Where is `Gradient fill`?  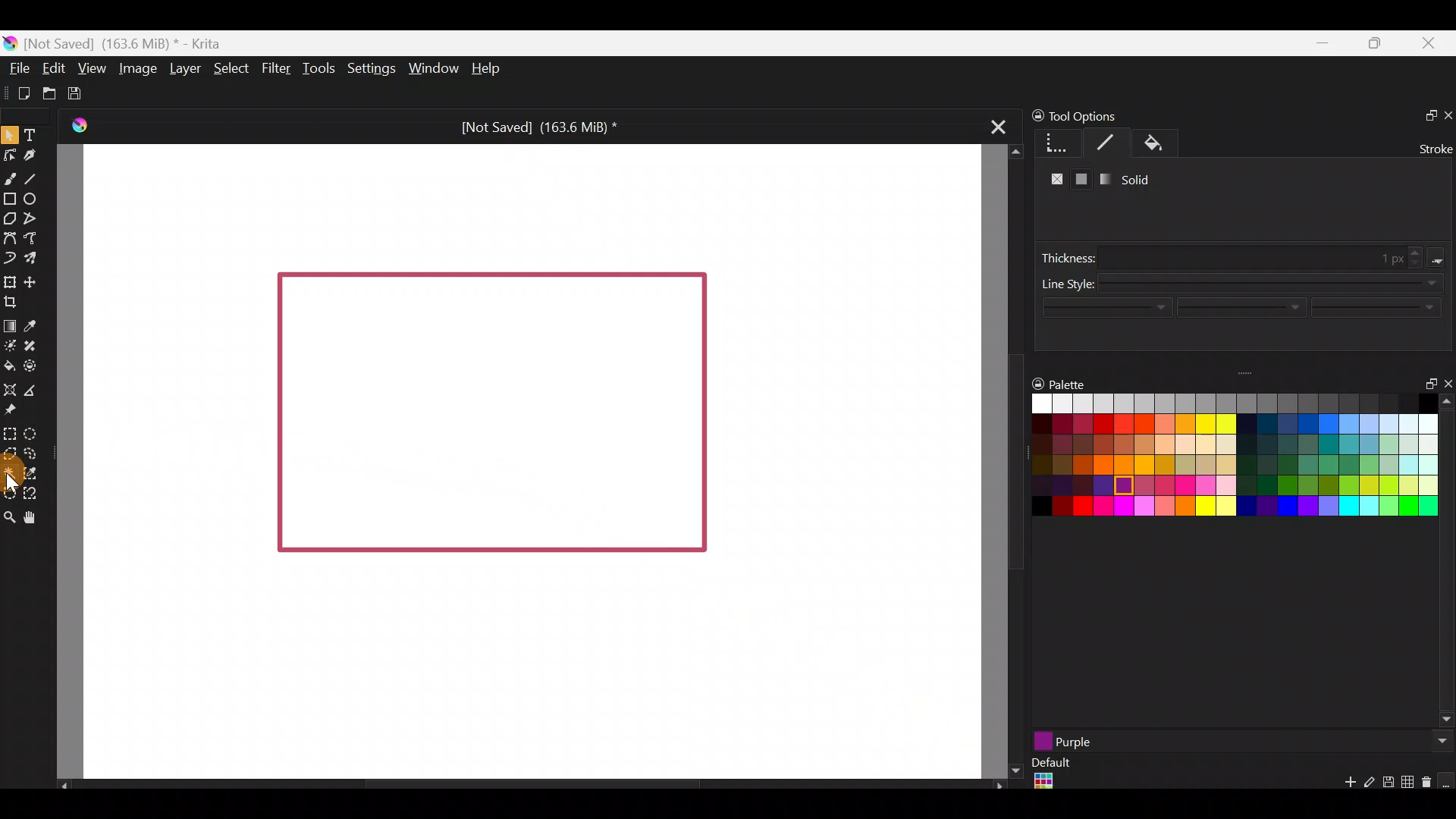 Gradient fill is located at coordinates (1106, 183).